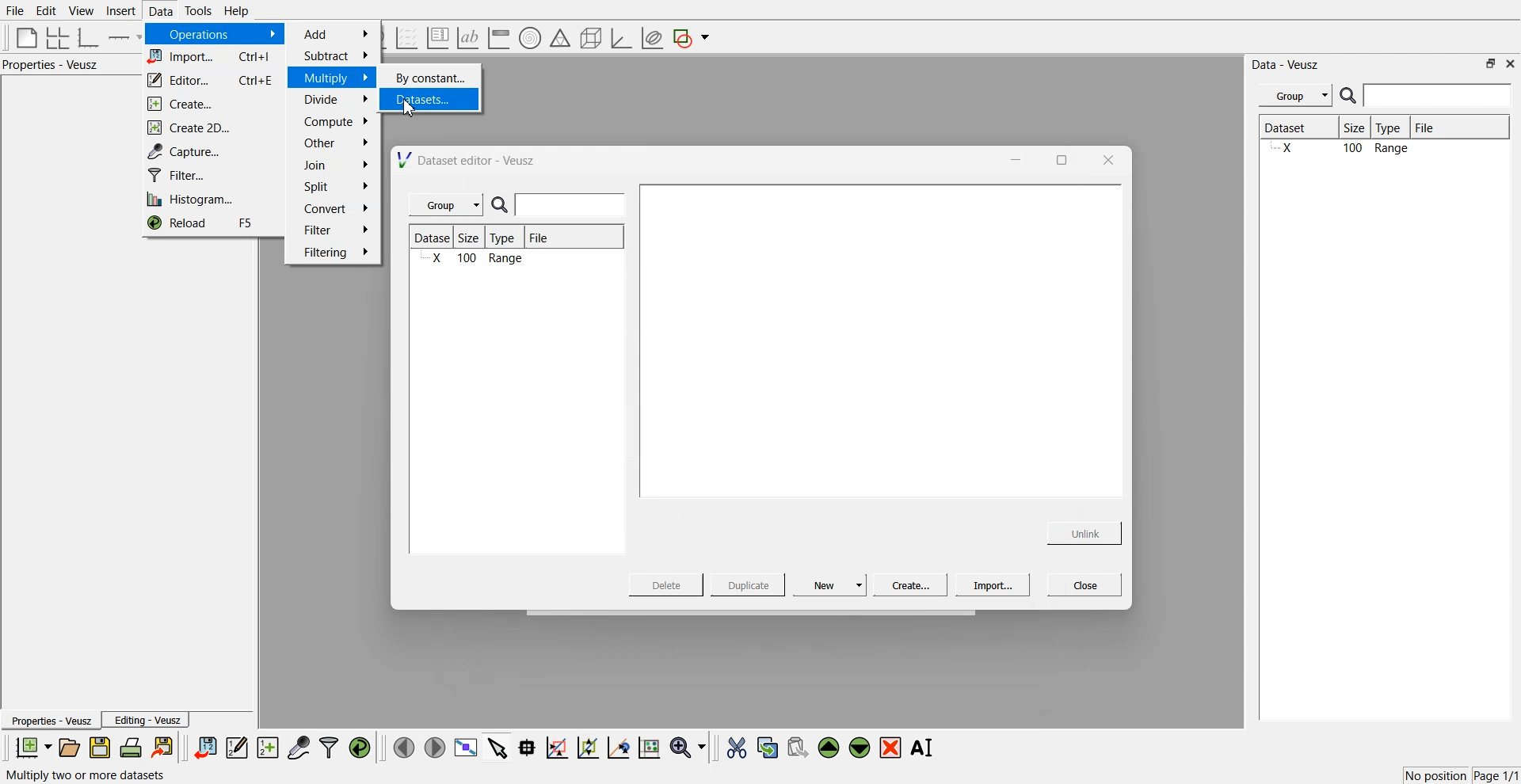  I want to click on capture data points, so click(299, 748).